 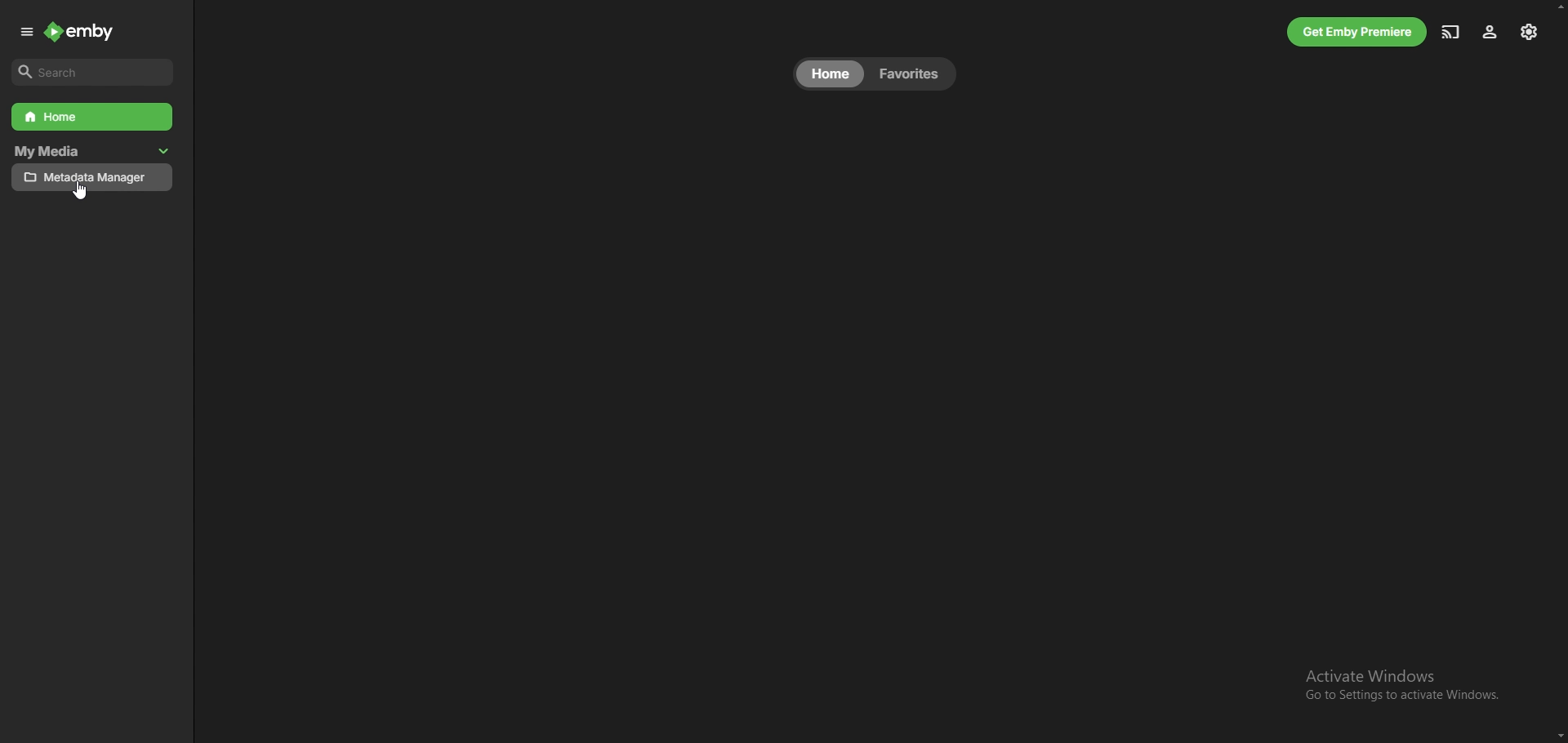 I want to click on favorites, so click(x=911, y=74).